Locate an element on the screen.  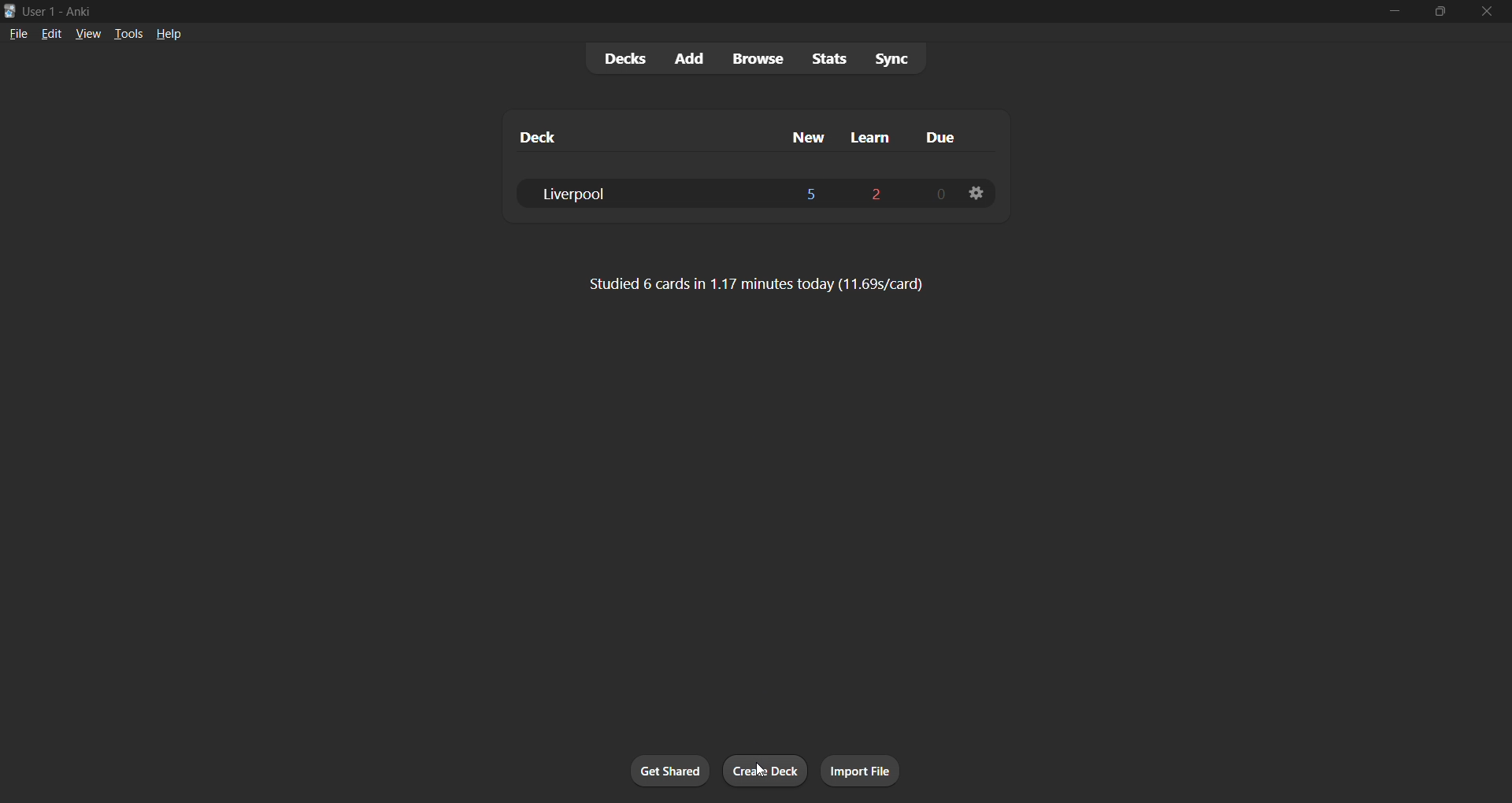
deck name column is located at coordinates (622, 139).